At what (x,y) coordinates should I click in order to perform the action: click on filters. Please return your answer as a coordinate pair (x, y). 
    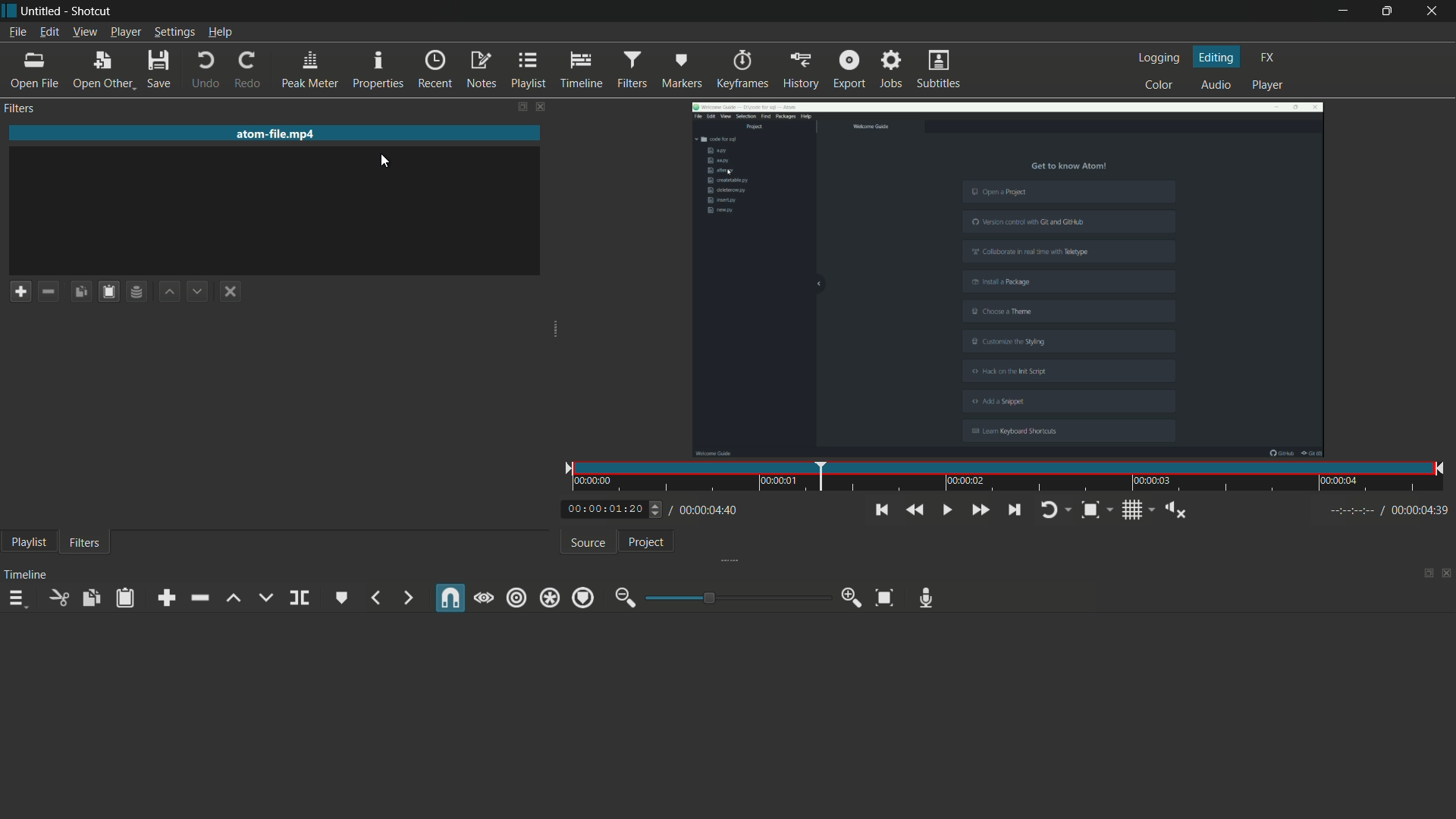
    Looking at the image, I should click on (632, 70).